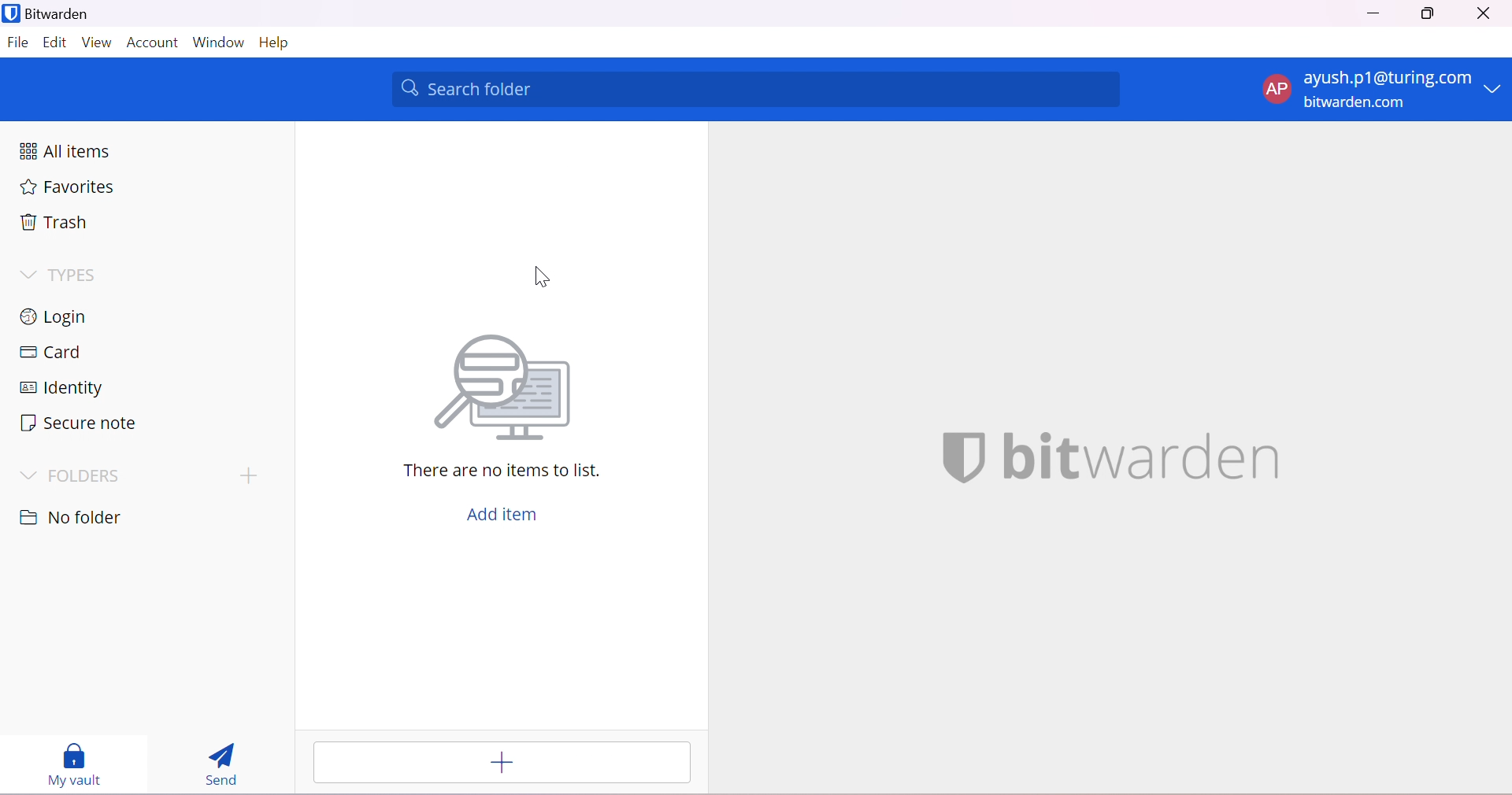 The width and height of the screenshot is (1512, 795). Describe the element at coordinates (78, 423) in the screenshot. I see `Secure note` at that location.